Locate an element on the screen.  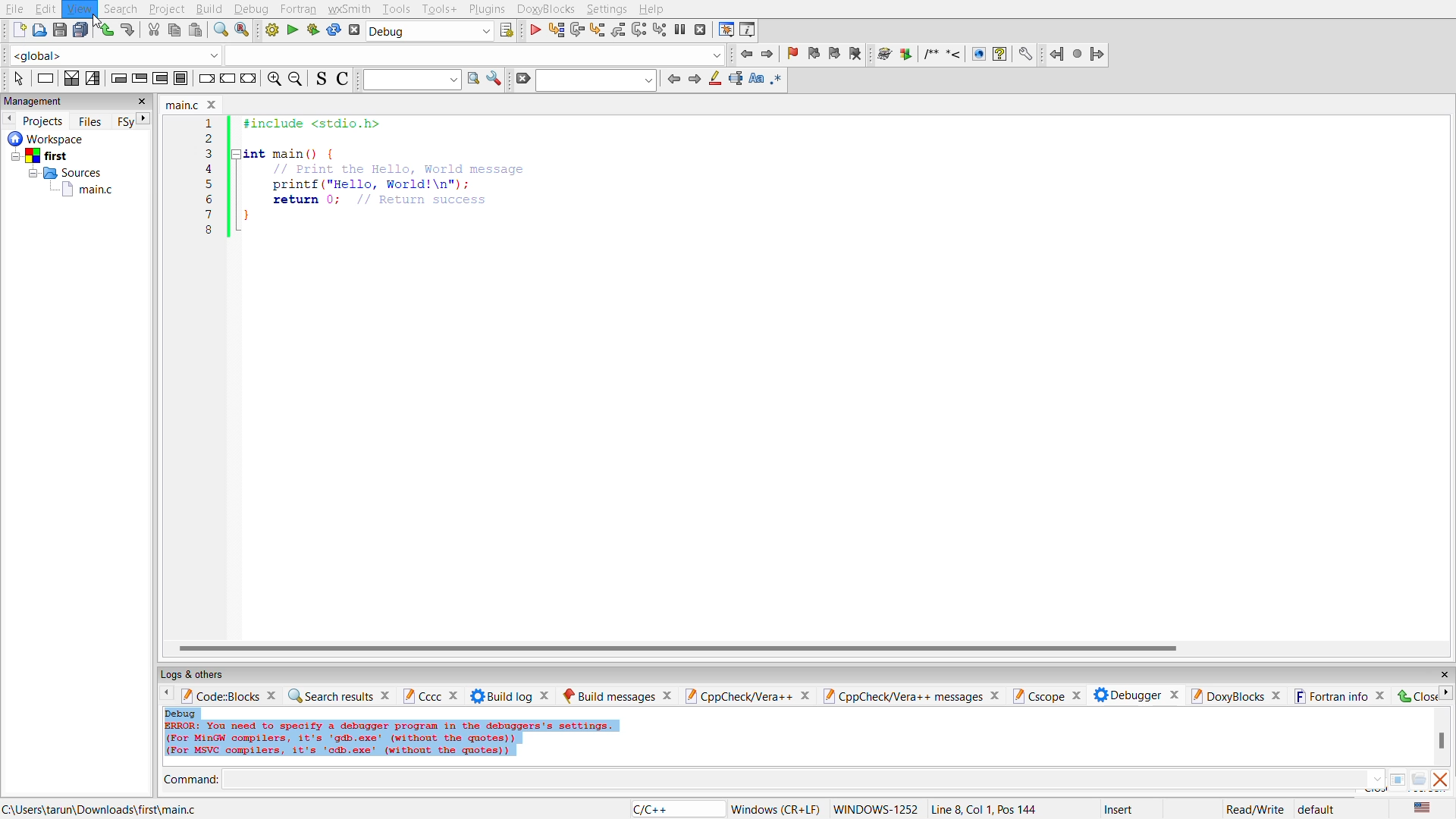
horizontal scroll bar is located at coordinates (682, 645).